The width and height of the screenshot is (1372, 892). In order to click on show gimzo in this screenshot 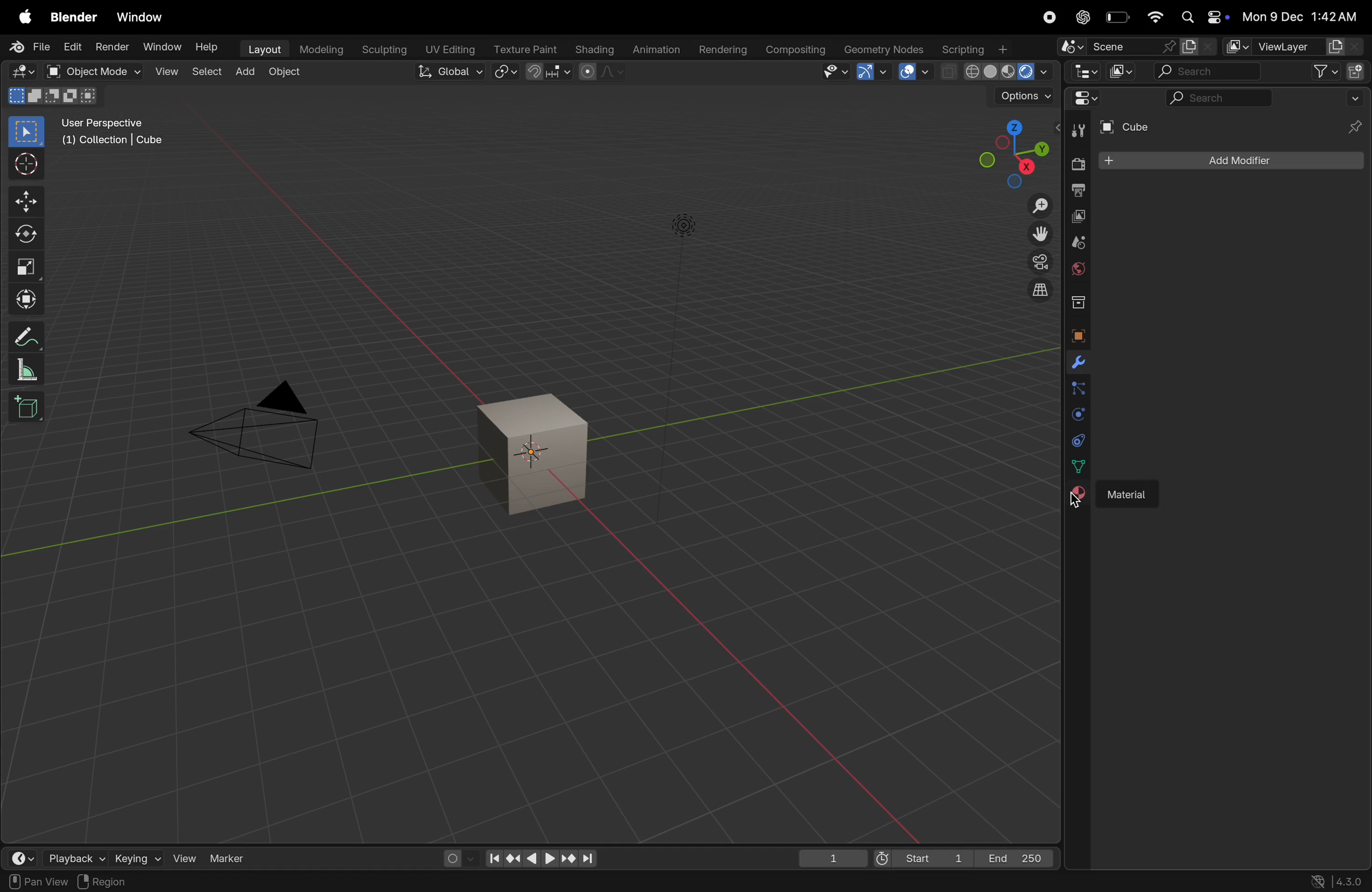, I will do `click(872, 71)`.